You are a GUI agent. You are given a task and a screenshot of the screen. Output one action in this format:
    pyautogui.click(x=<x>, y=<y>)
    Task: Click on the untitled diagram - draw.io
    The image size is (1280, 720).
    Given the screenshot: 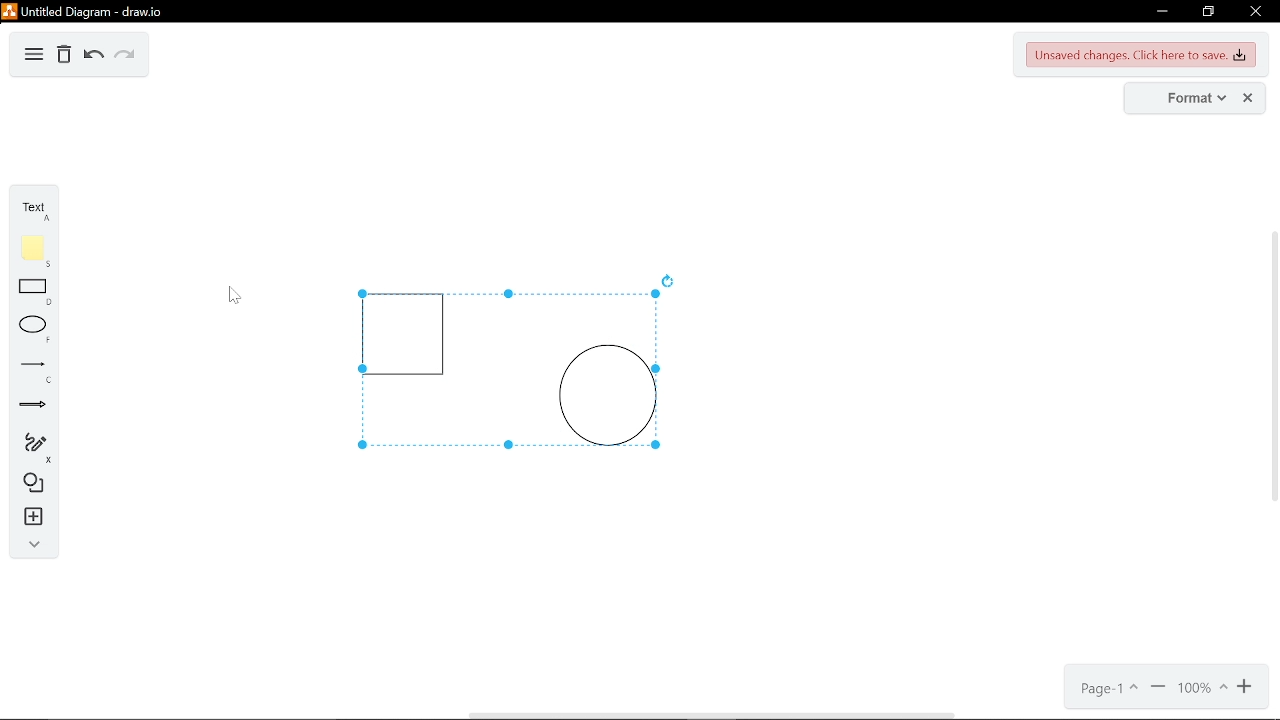 What is the action you would take?
    pyautogui.click(x=94, y=10)
    